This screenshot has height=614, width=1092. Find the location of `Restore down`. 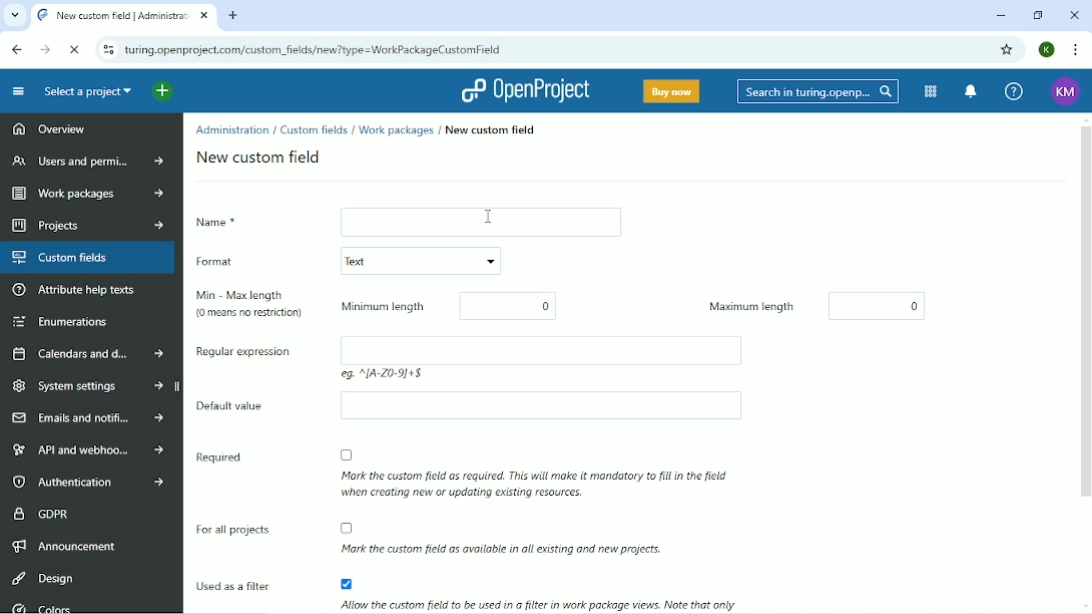

Restore down is located at coordinates (1038, 15).